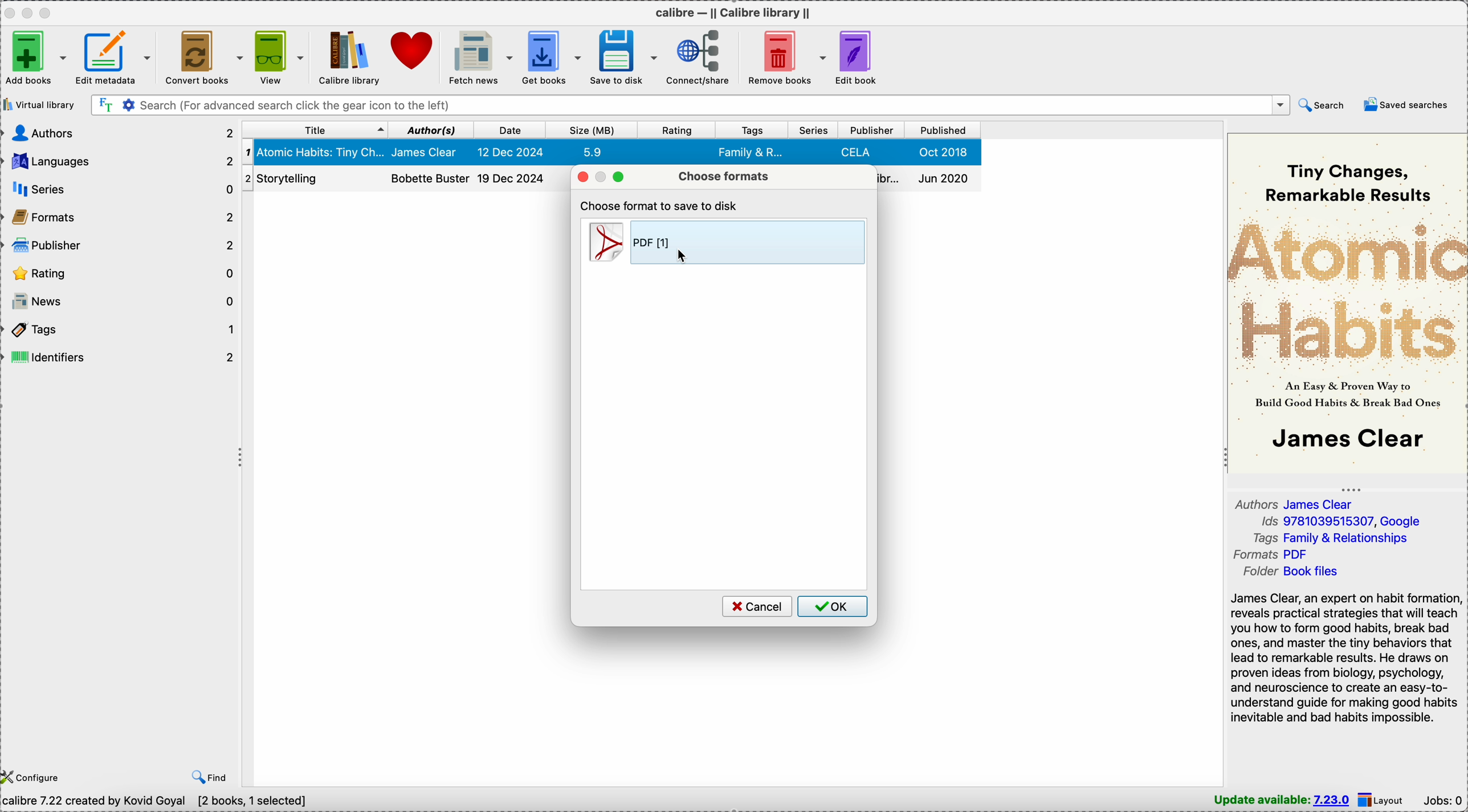 This screenshot has height=812, width=1468. Describe the element at coordinates (723, 176) in the screenshot. I see `choose formats` at that location.